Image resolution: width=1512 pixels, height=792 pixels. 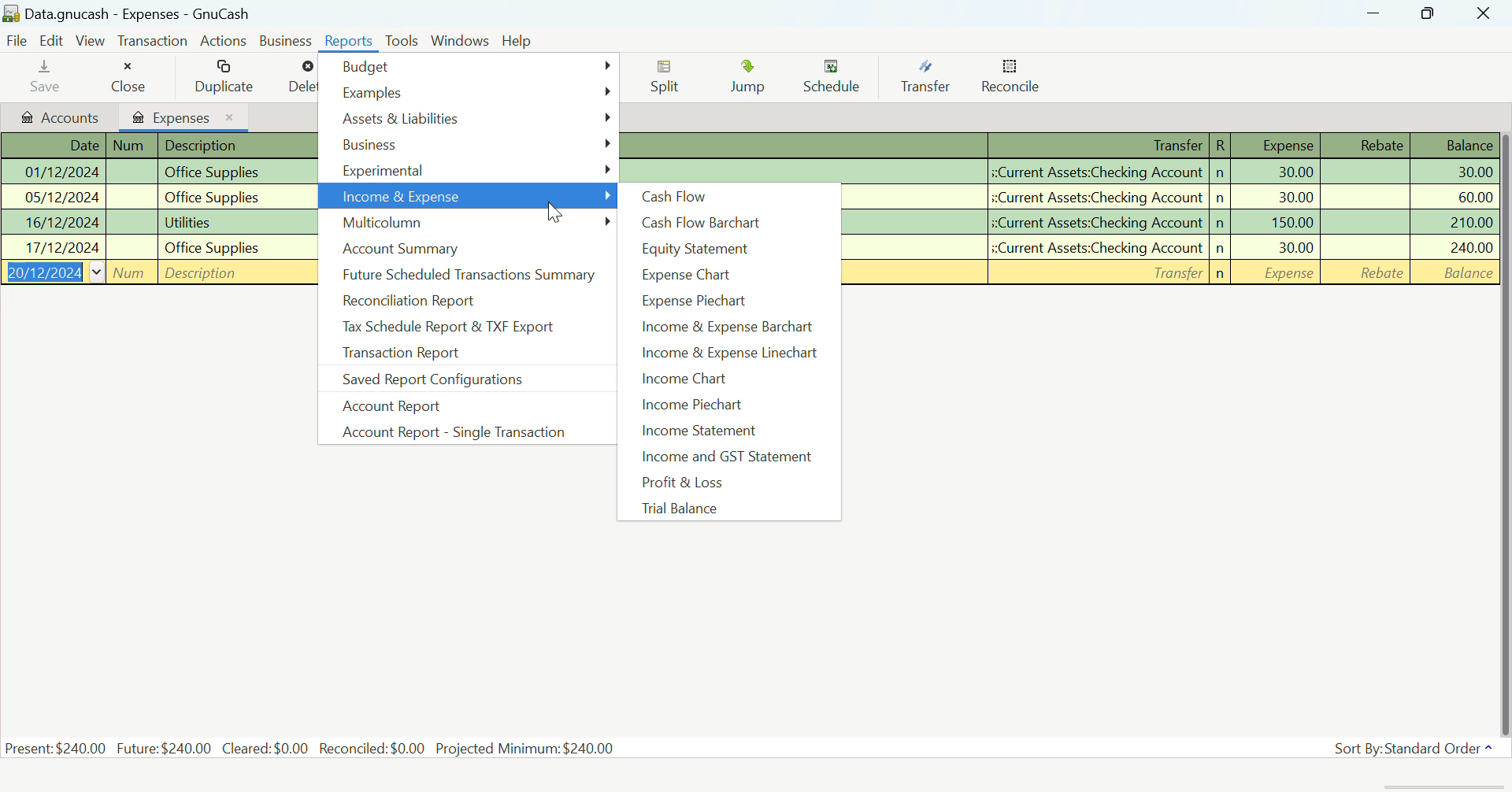 I want to click on Transaction Report, so click(x=444, y=355).